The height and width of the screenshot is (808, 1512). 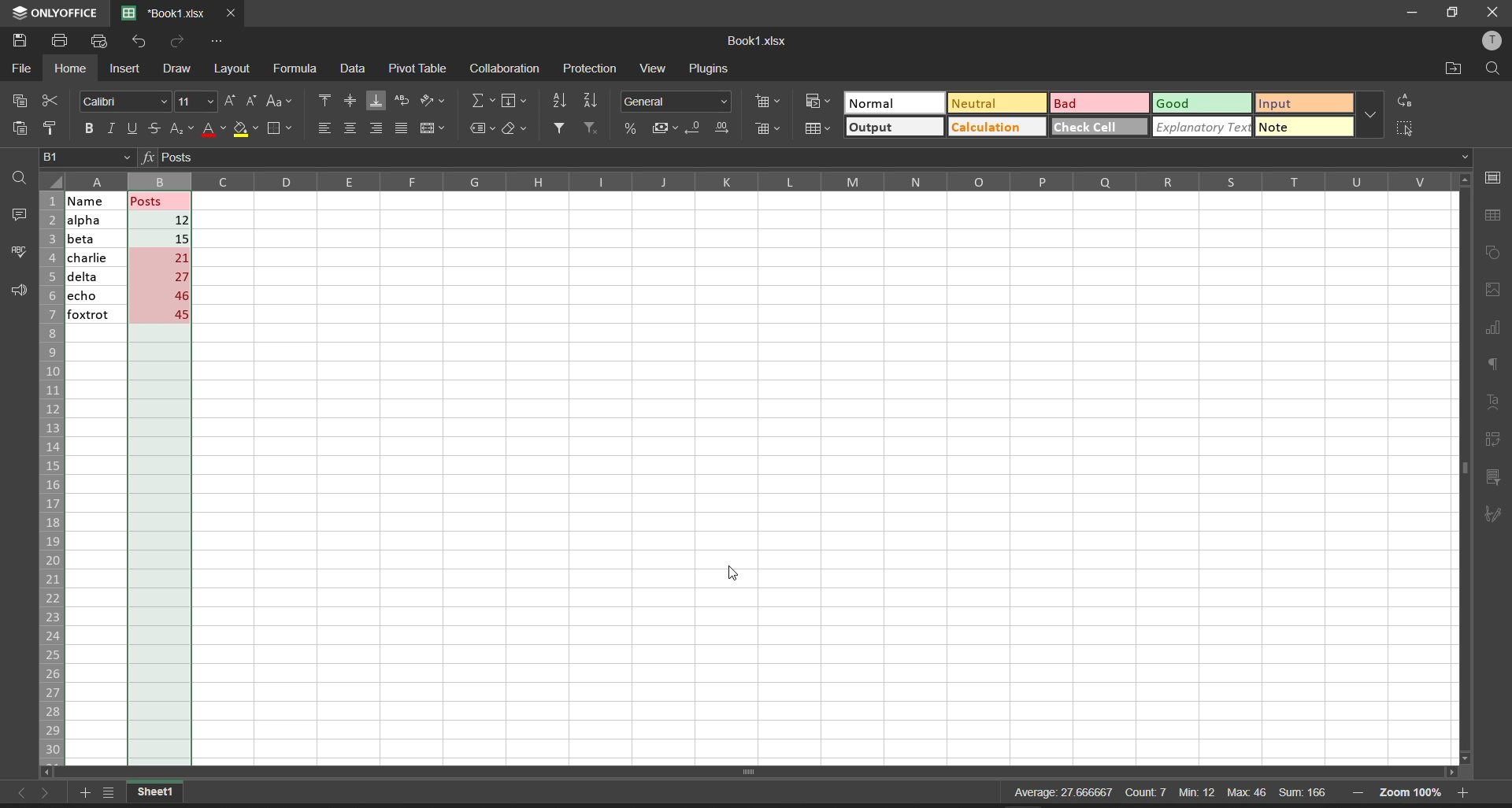 I want to click on view, so click(x=654, y=68).